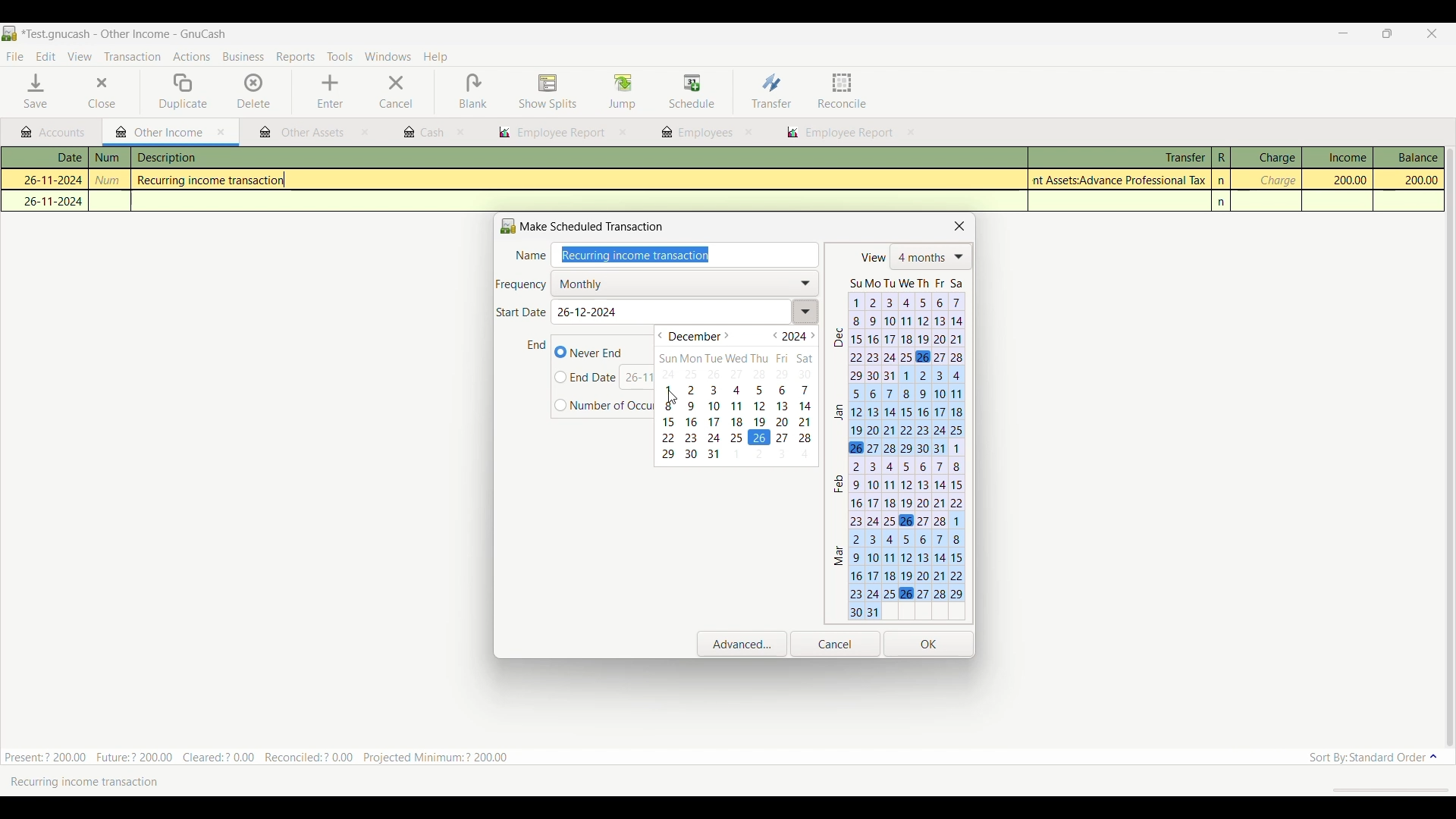 The image size is (1456, 819). What do you see at coordinates (396, 92) in the screenshot?
I see `Cancel` at bounding box center [396, 92].